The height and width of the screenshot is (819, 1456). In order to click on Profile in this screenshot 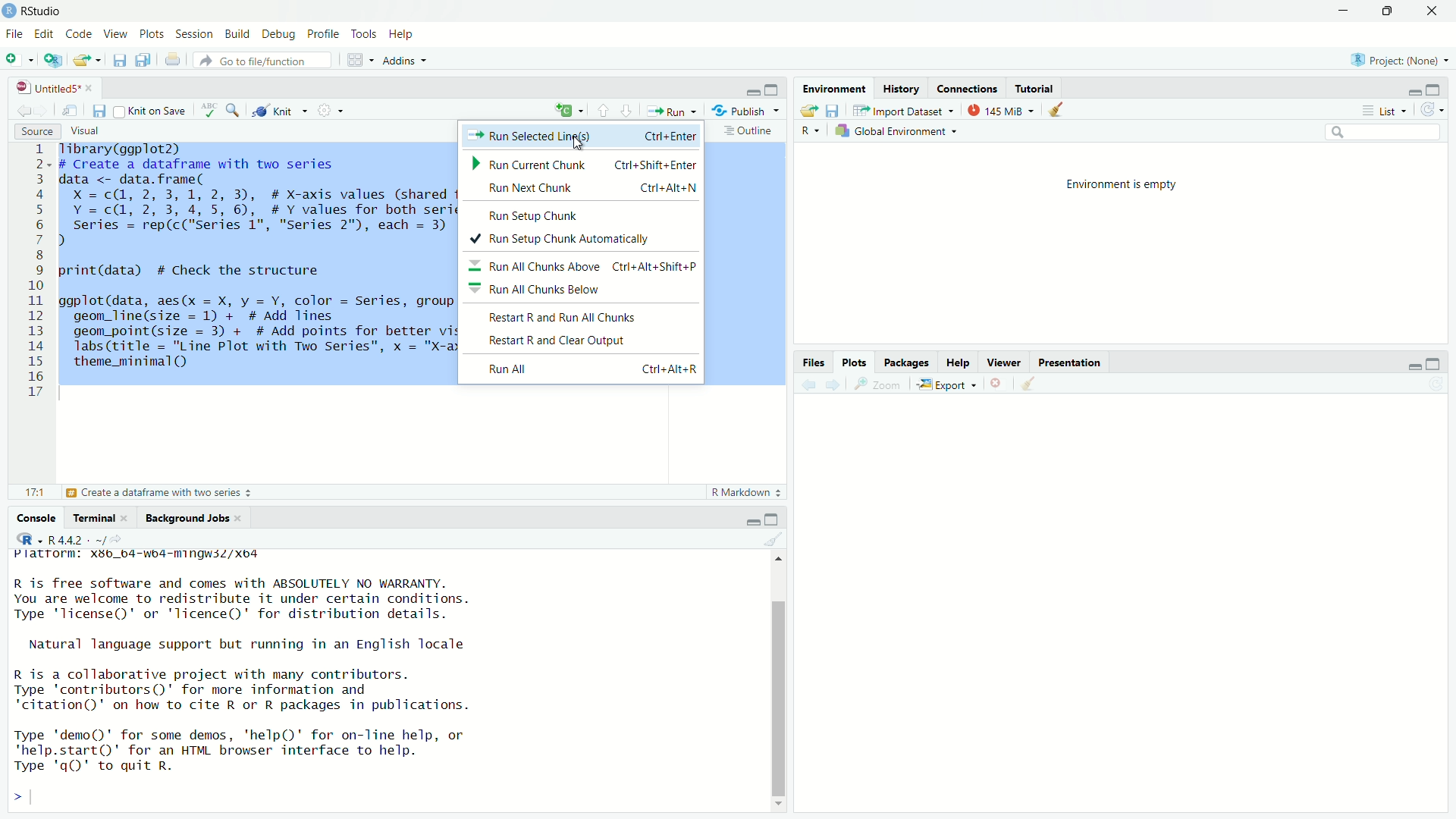, I will do `click(322, 36)`.